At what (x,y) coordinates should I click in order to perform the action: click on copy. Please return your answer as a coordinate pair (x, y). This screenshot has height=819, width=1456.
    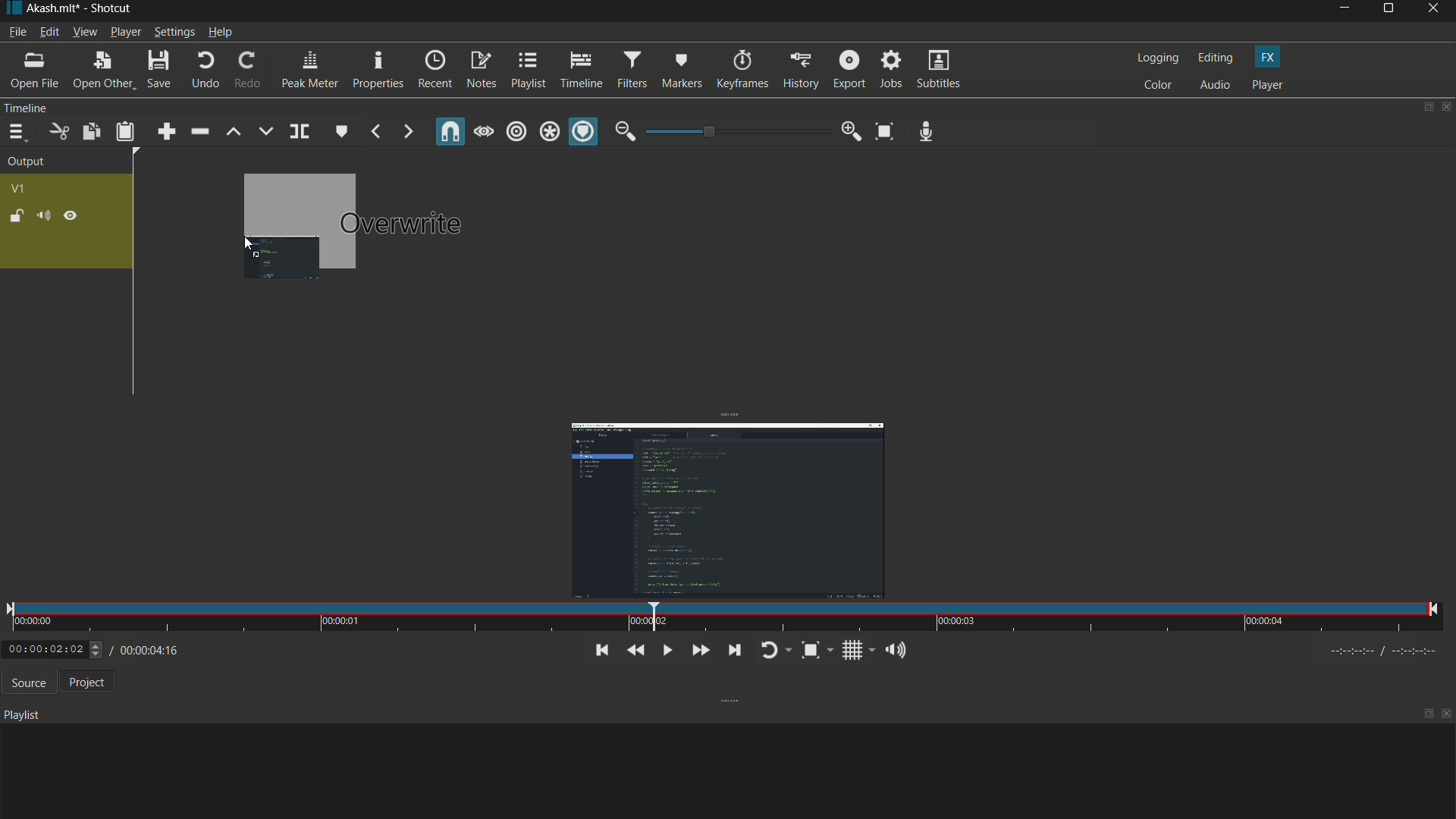
    Looking at the image, I should click on (90, 131).